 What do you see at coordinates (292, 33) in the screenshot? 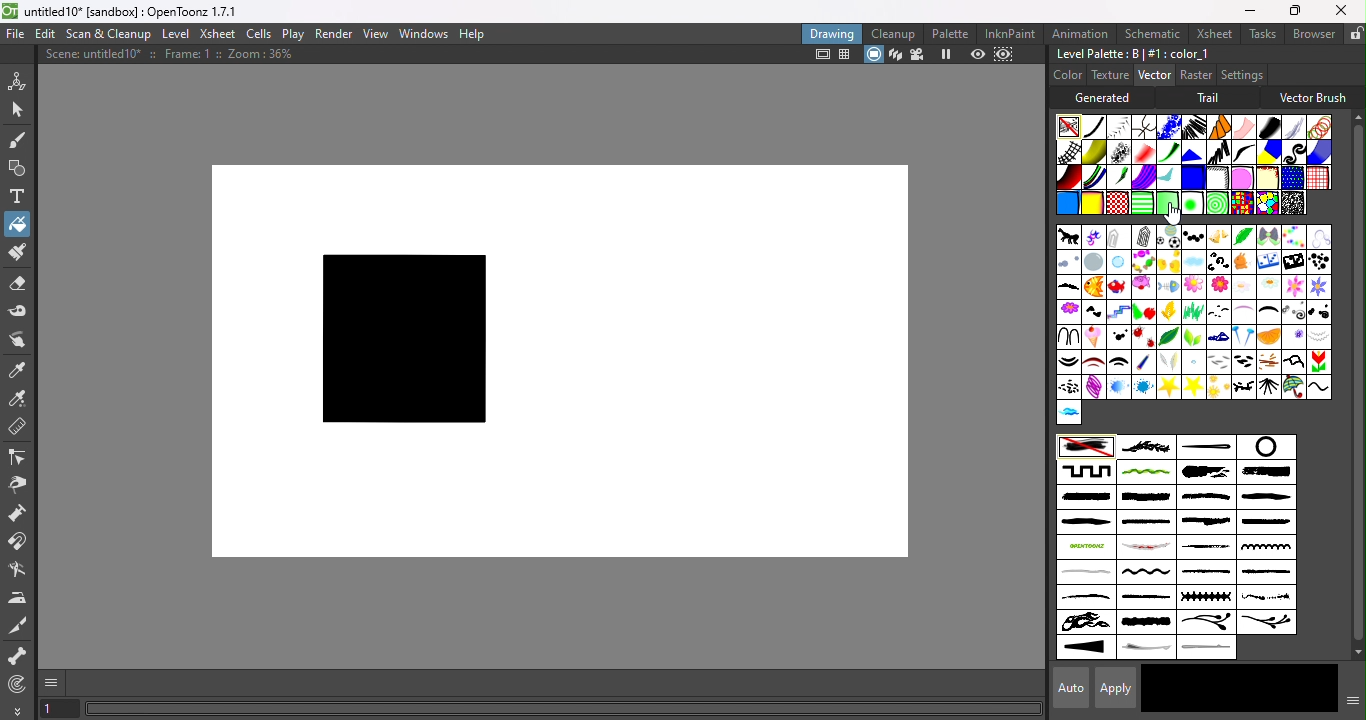
I see `Play` at bounding box center [292, 33].